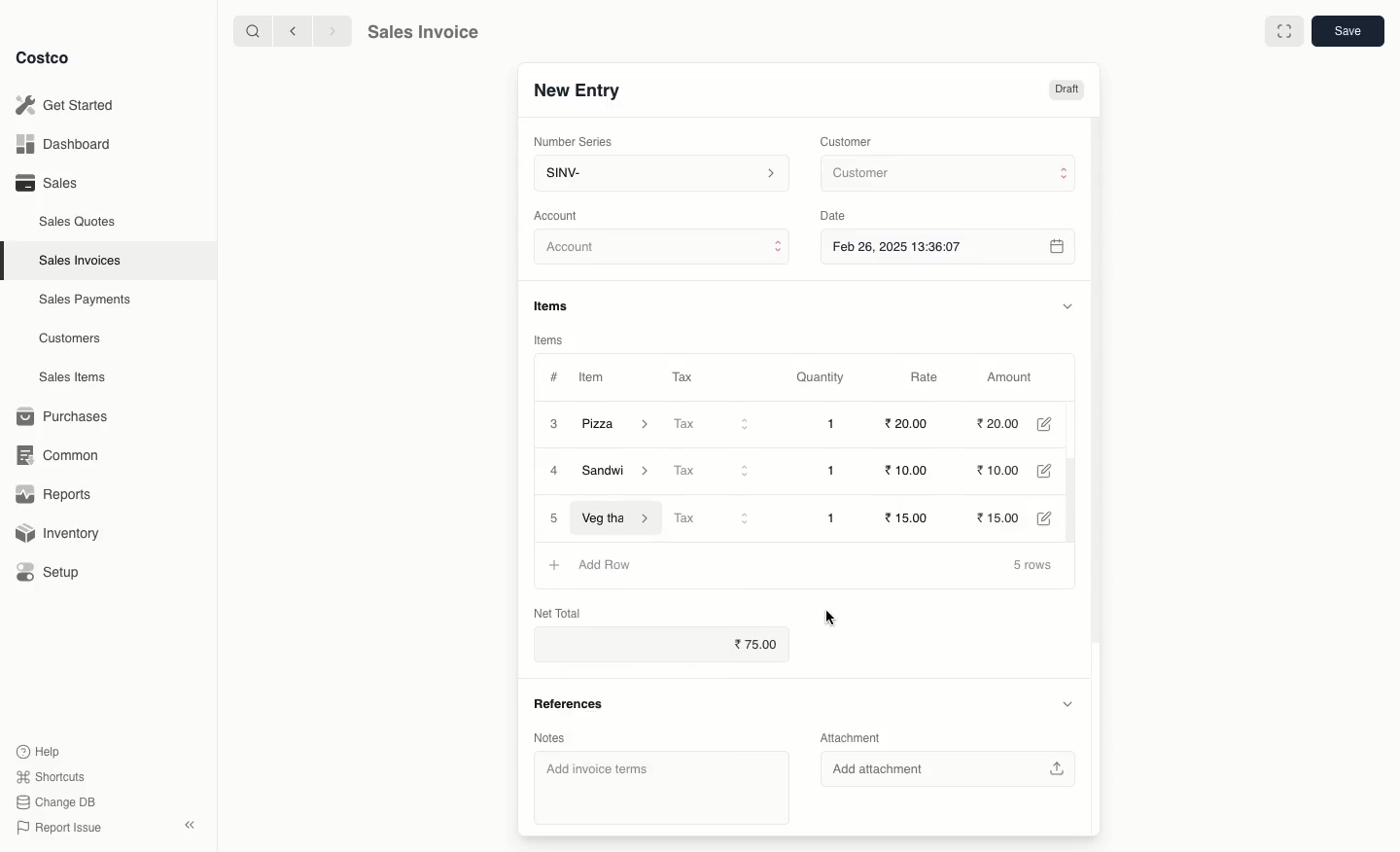  What do you see at coordinates (838, 216) in the screenshot?
I see `Date` at bounding box center [838, 216].